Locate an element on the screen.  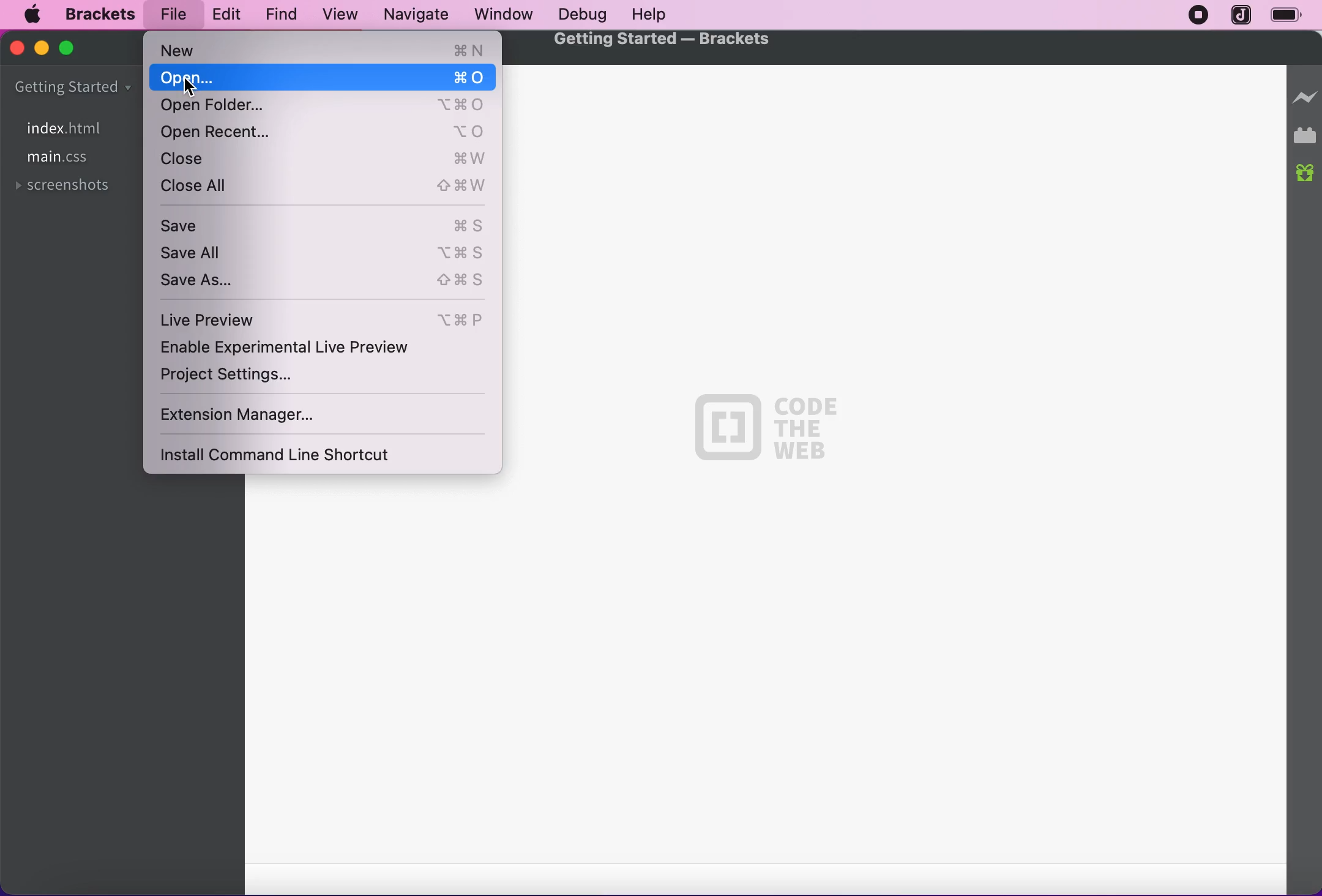
maximize Brackets is located at coordinates (70, 50).